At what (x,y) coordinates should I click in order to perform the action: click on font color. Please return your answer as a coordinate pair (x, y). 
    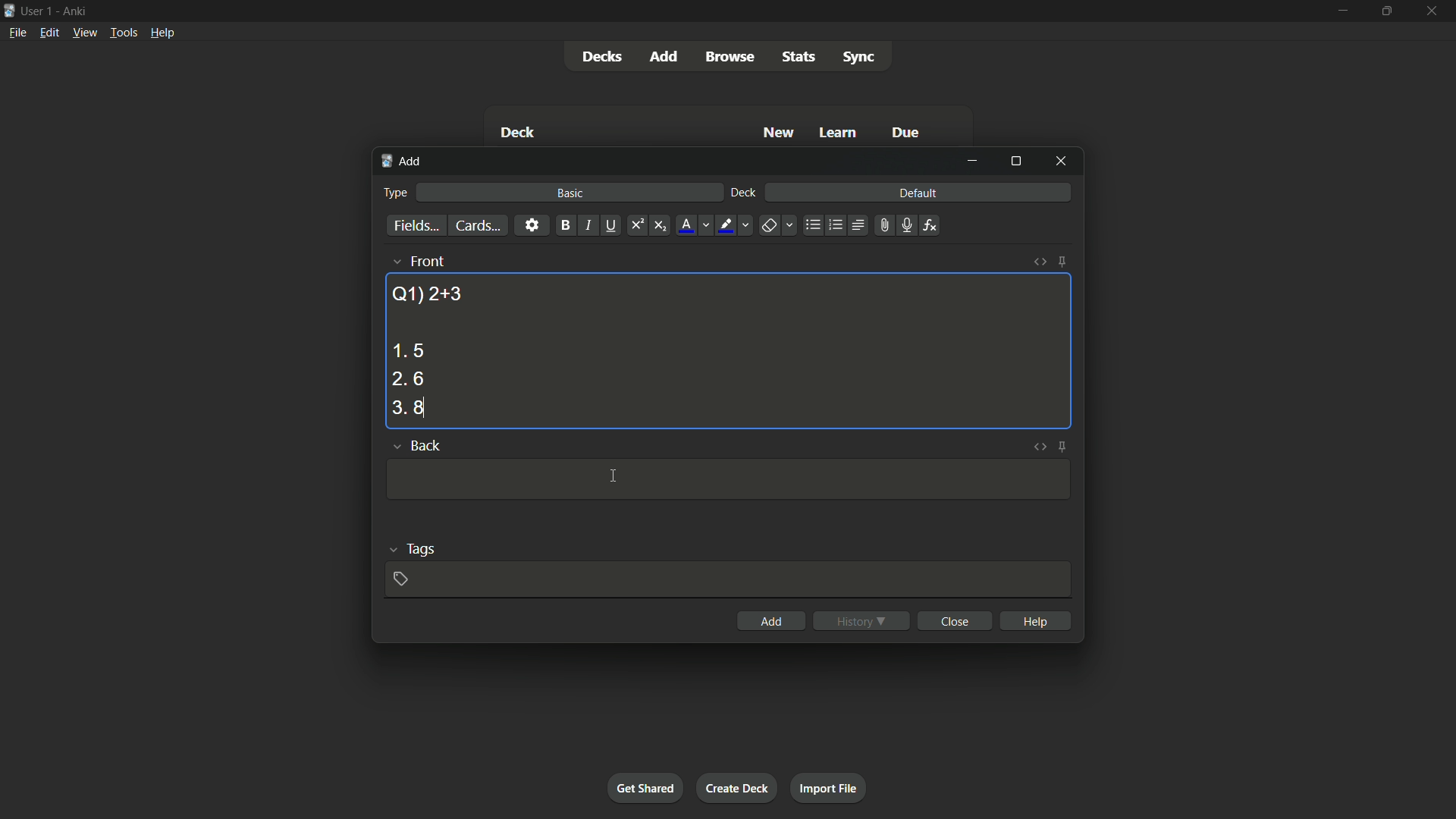
    Looking at the image, I should click on (687, 225).